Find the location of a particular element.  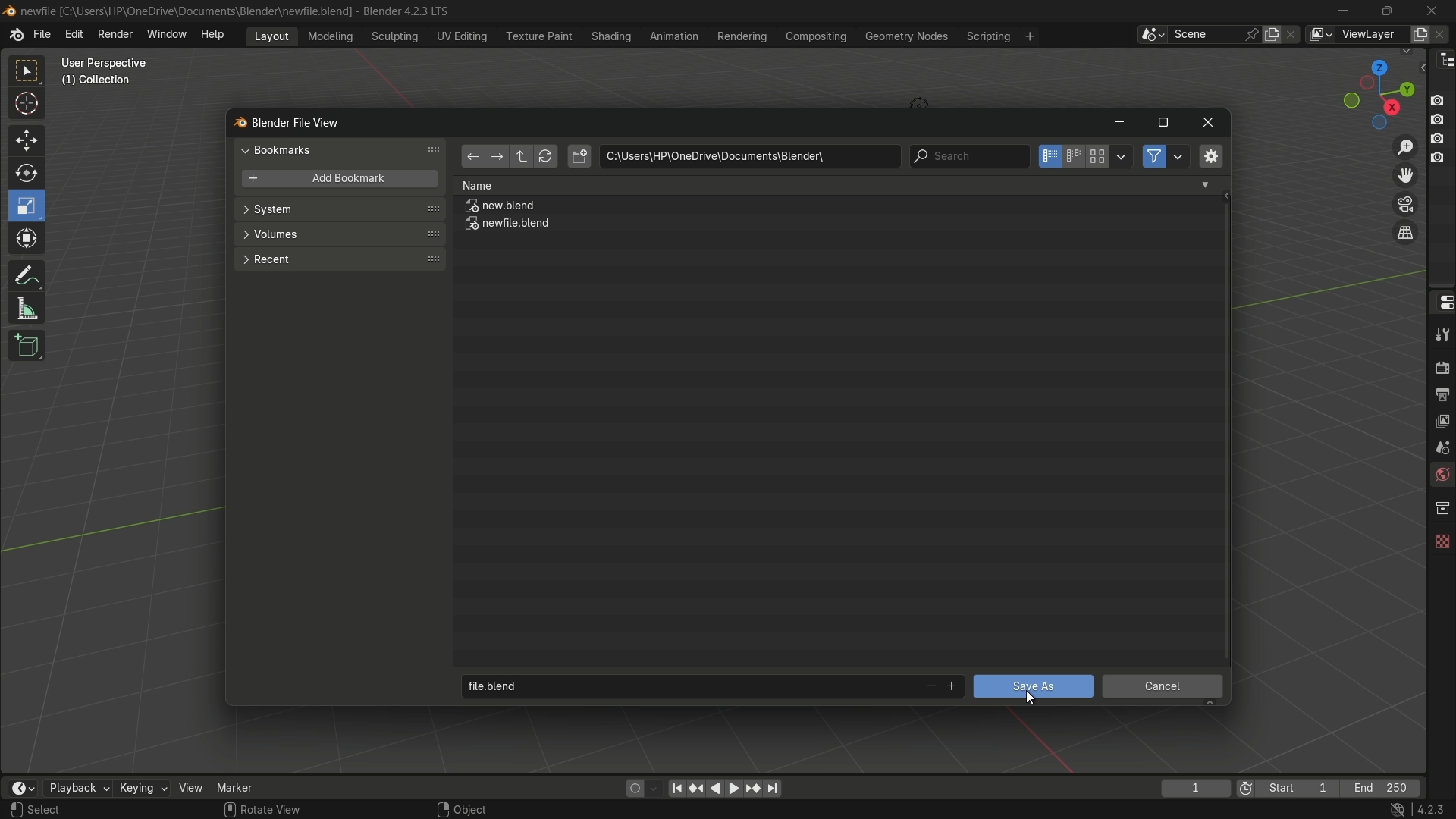

scene is located at coordinates (1439, 447).